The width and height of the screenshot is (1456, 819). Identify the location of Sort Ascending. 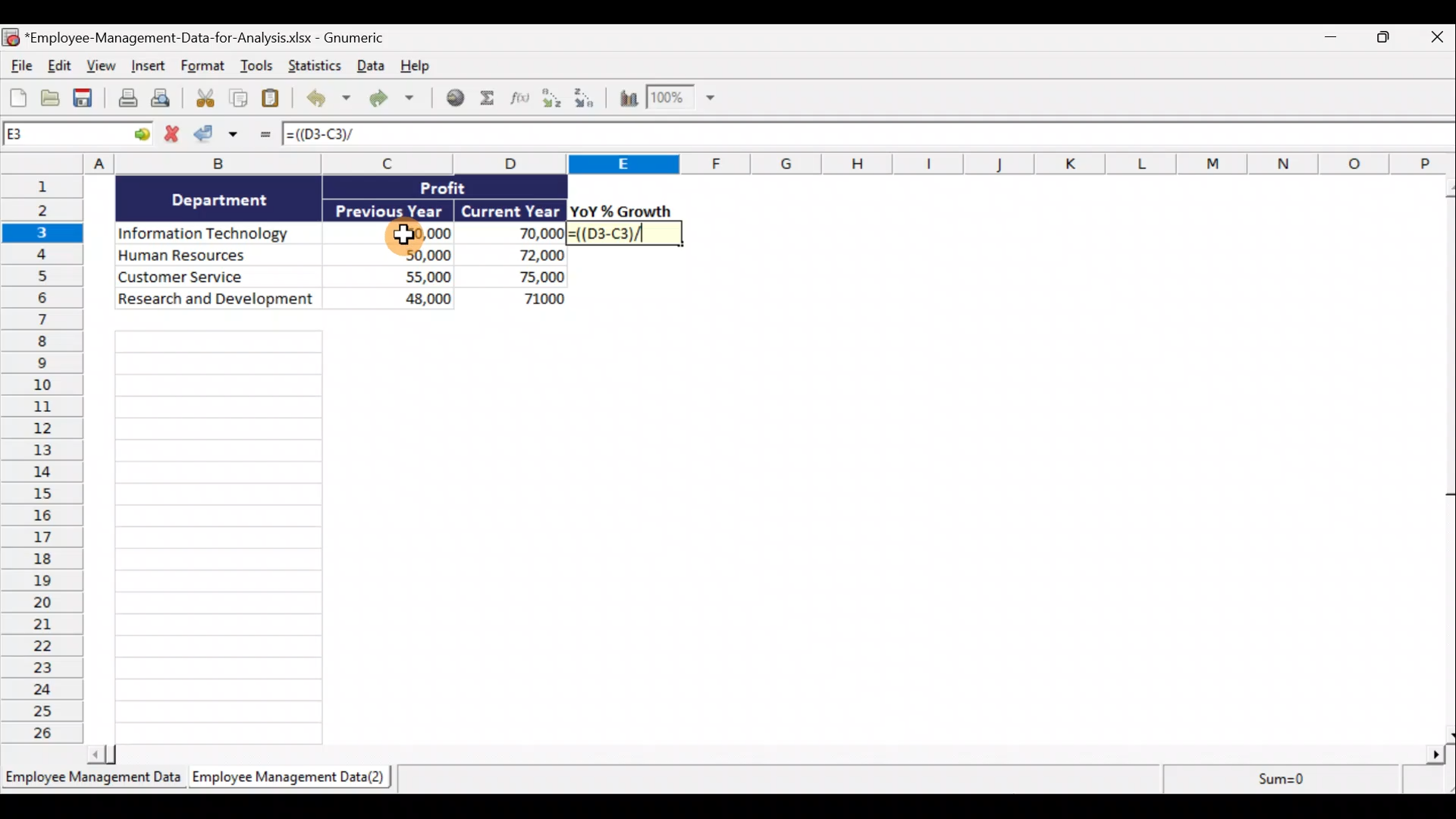
(553, 100).